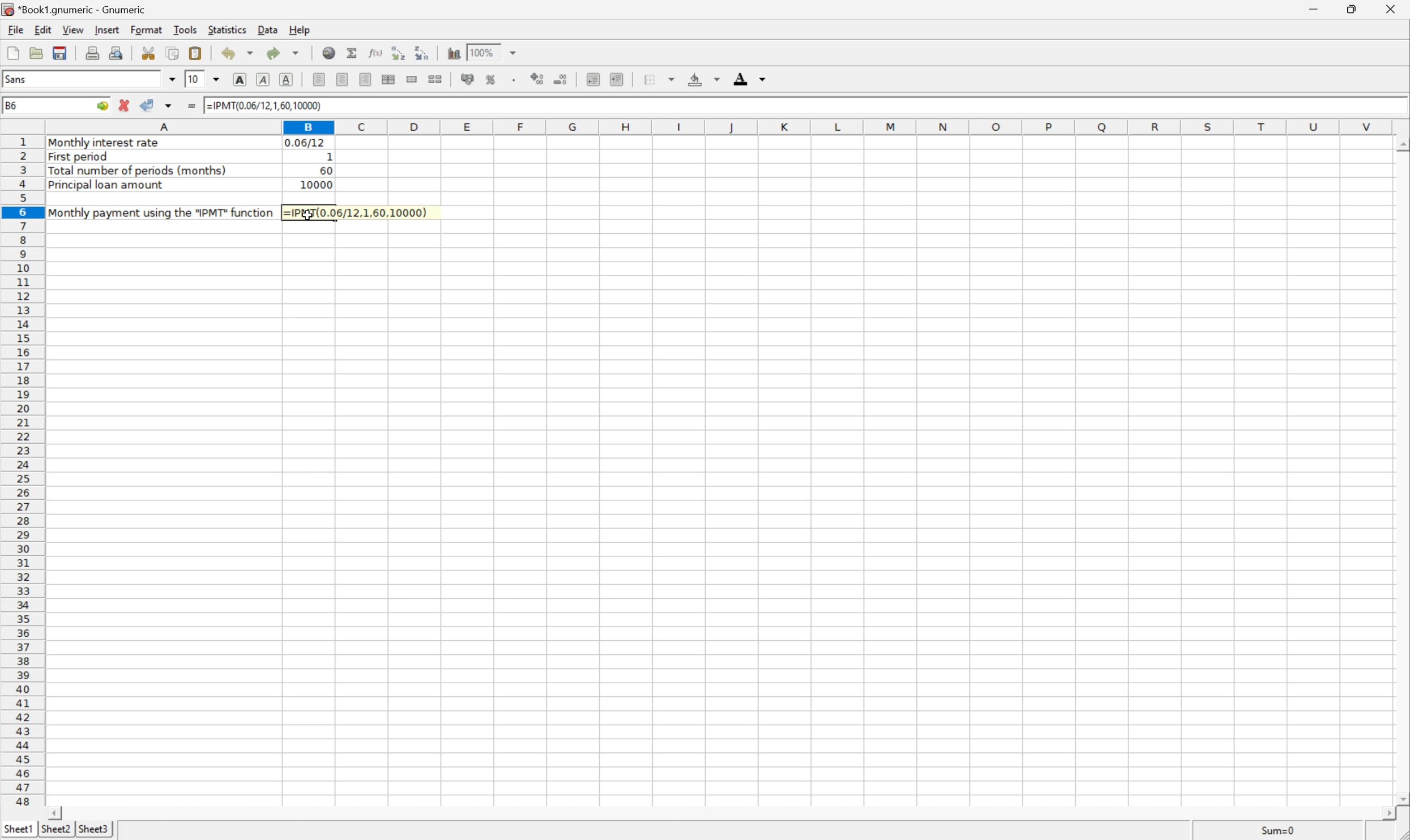  What do you see at coordinates (174, 54) in the screenshot?
I see `Copy selection` at bounding box center [174, 54].